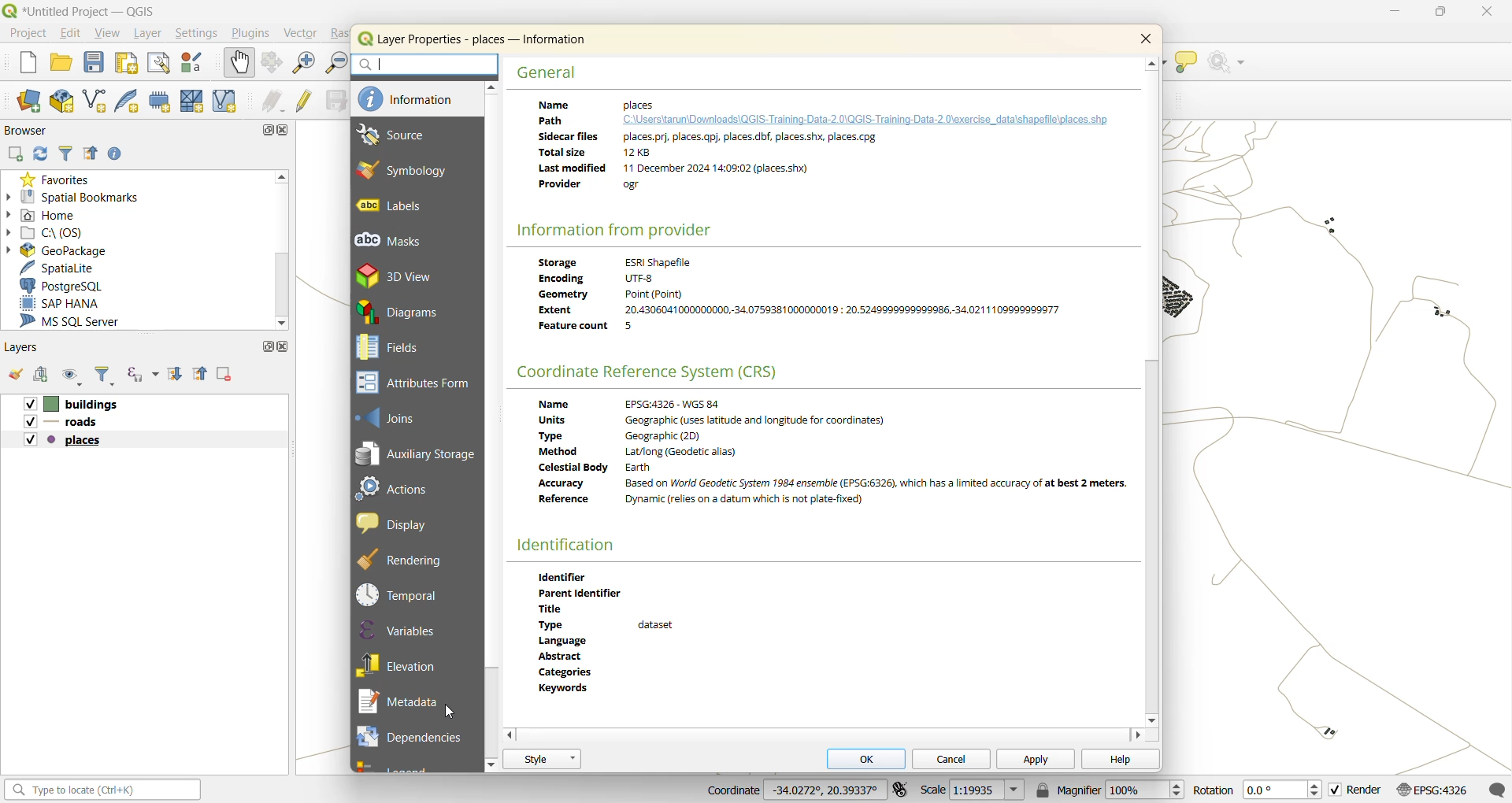  What do you see at coordinates (201, 34) in the screenshot?
I see `settings` at bounding box center [201, 34].